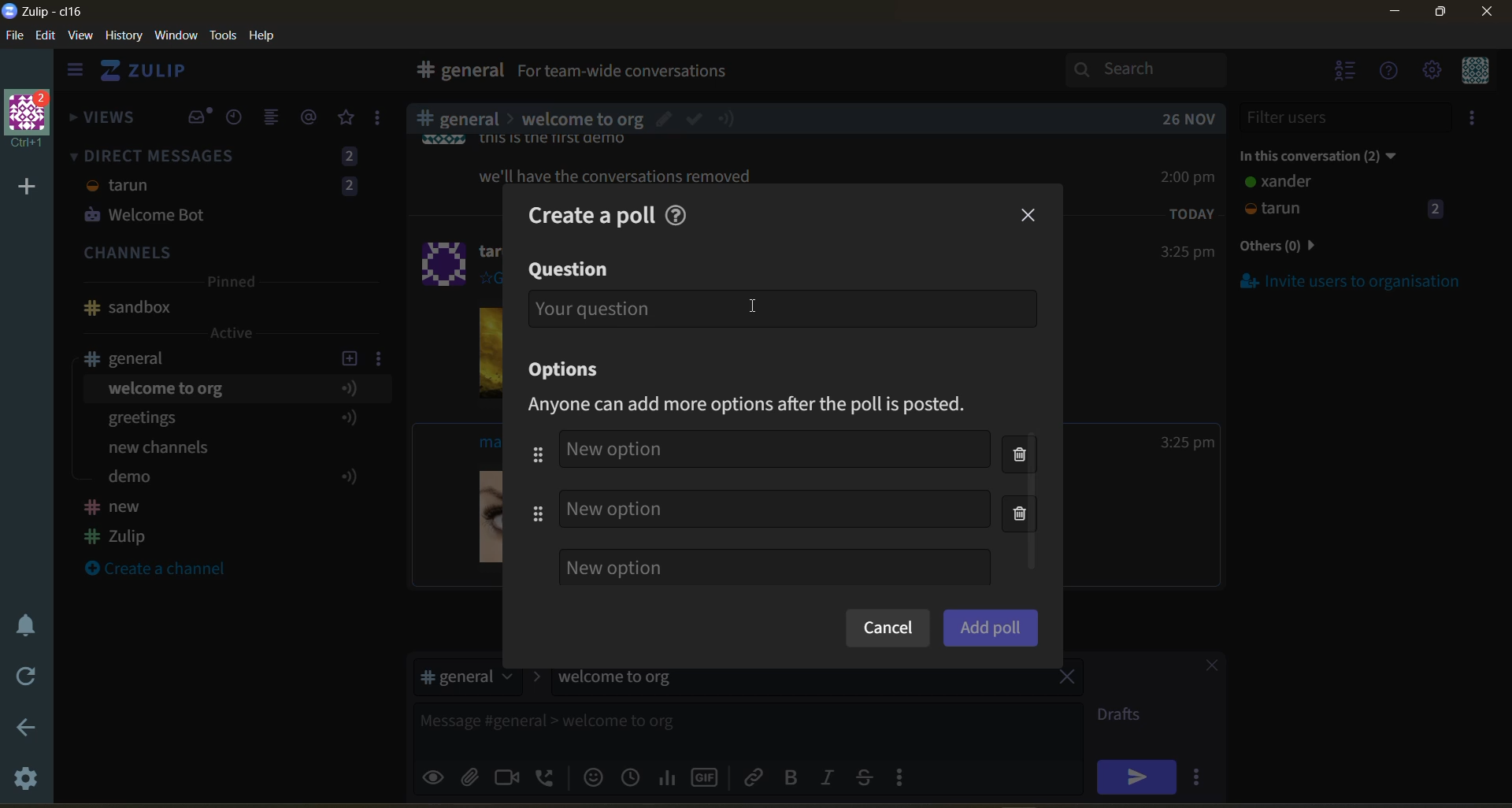  Describe the element at coordinates (312, 117) in the screenshot. I see `mentions` at that location.